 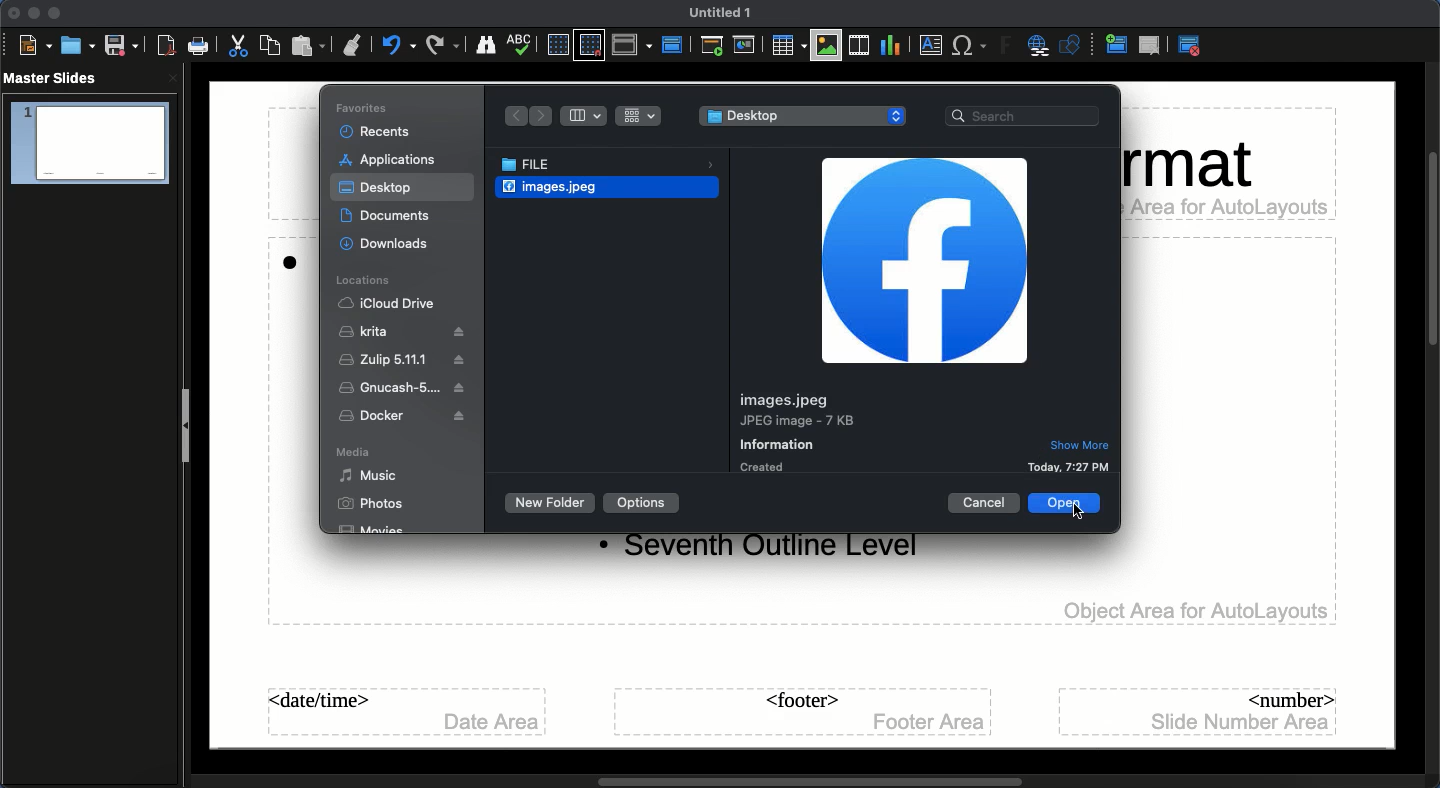 What do you see at coordinates (638, 116) in the screenshot?
I see `Grid view` at bounding box center [638, 116].